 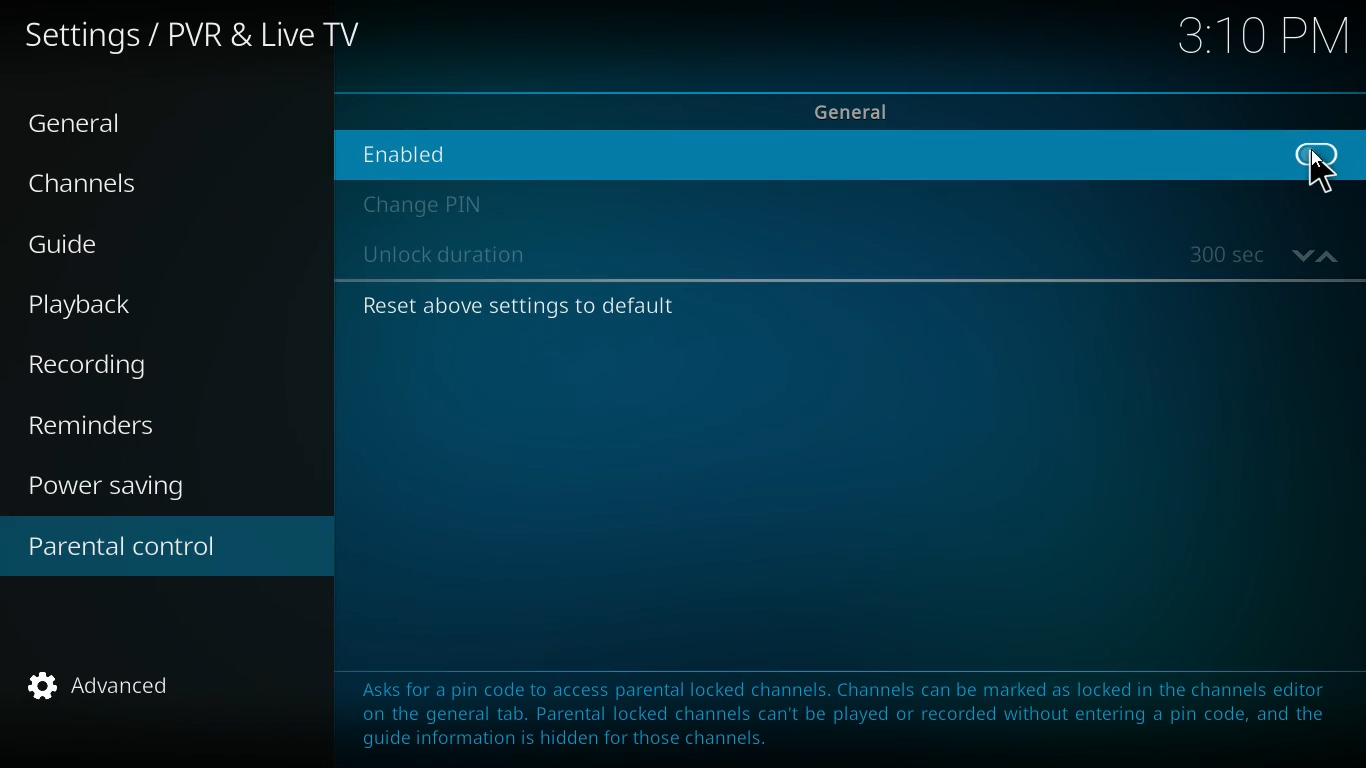 I want to click on advanced, so click(x=114, y=692).